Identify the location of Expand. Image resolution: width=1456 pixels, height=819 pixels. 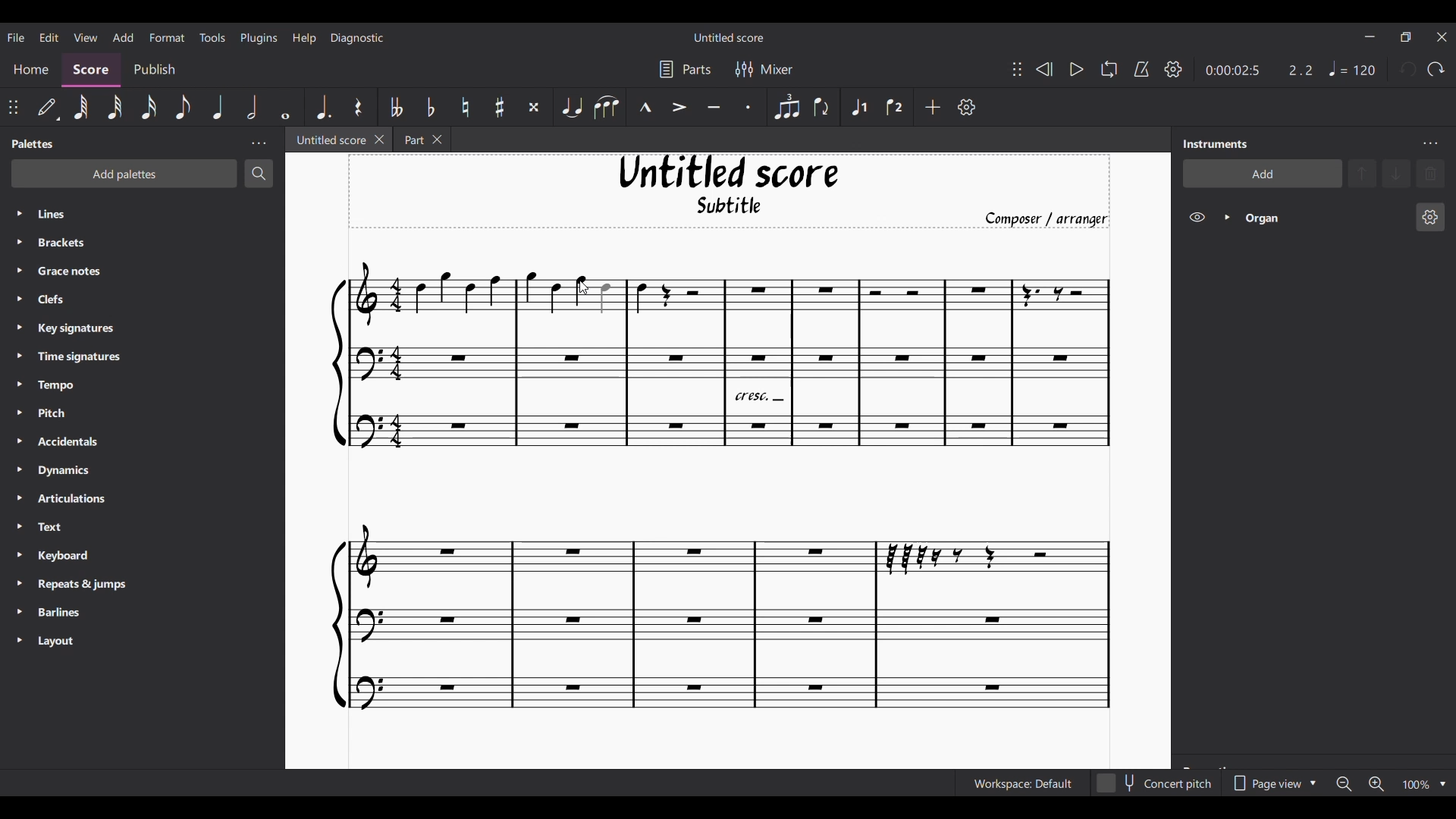
(1226, 217).